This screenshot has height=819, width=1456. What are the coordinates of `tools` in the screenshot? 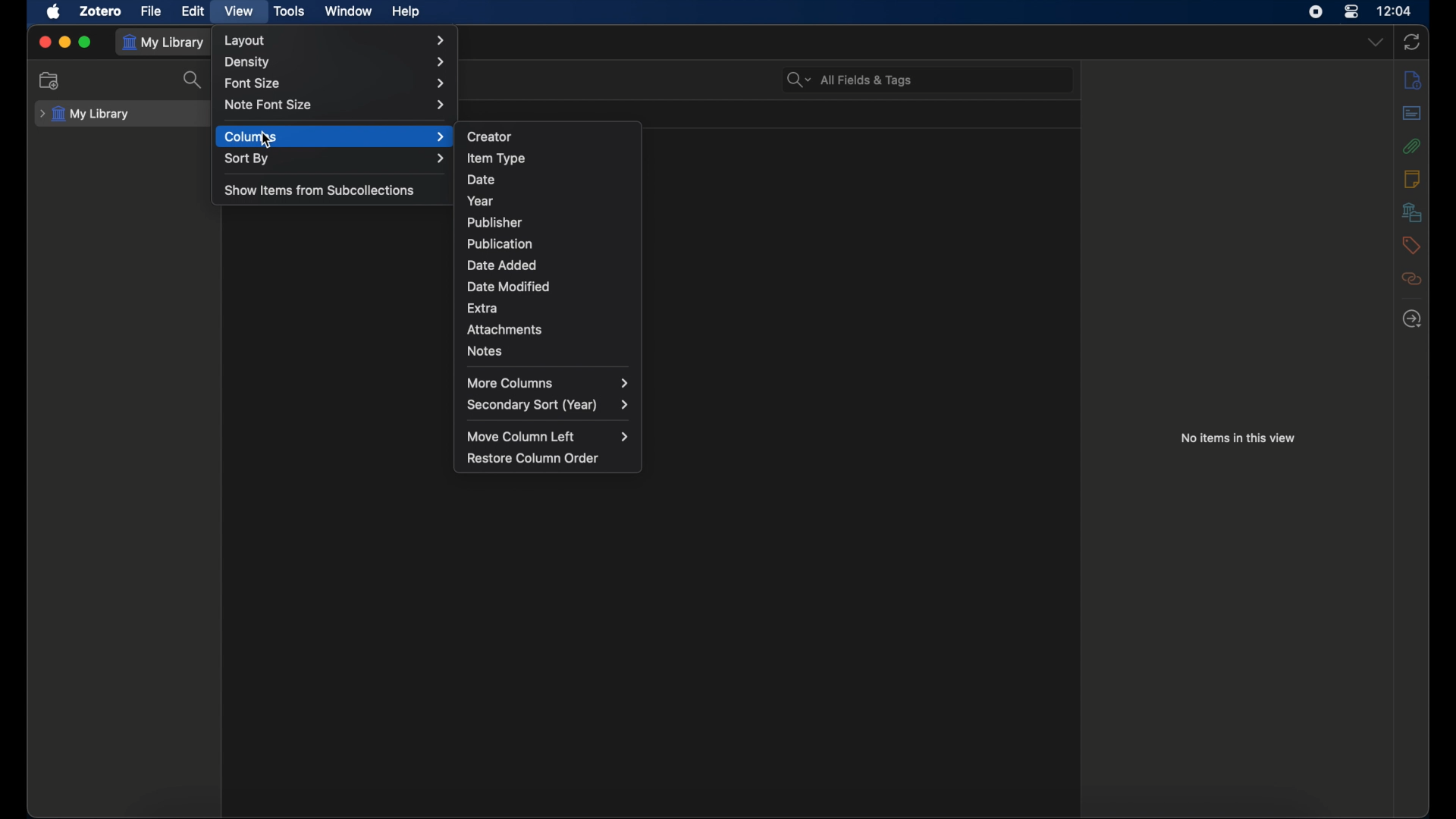 It's located at (290, 11).